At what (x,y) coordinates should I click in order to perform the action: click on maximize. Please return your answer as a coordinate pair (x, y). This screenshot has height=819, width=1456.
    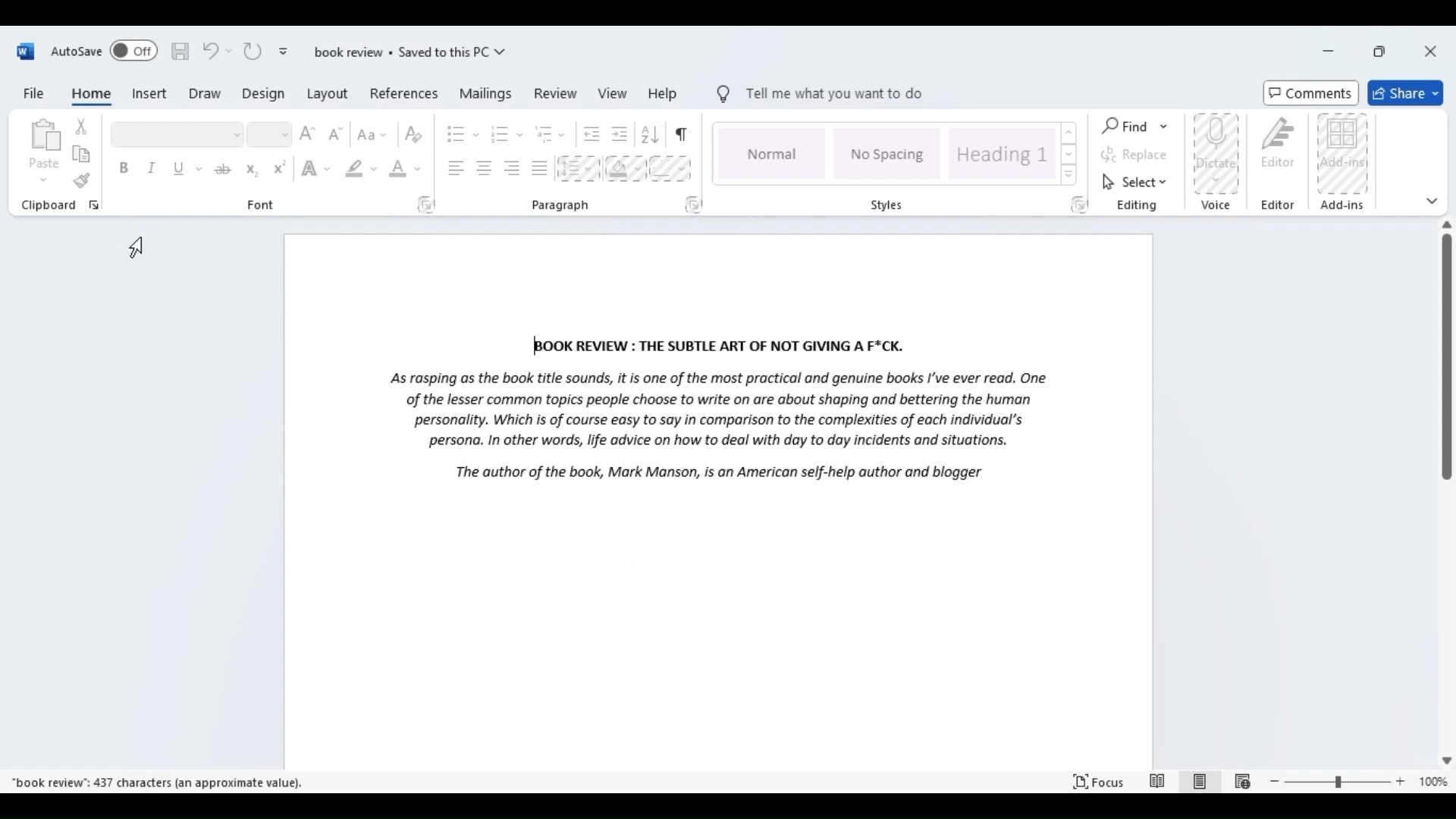
    Looking at the image, I should click on (1379, 51).